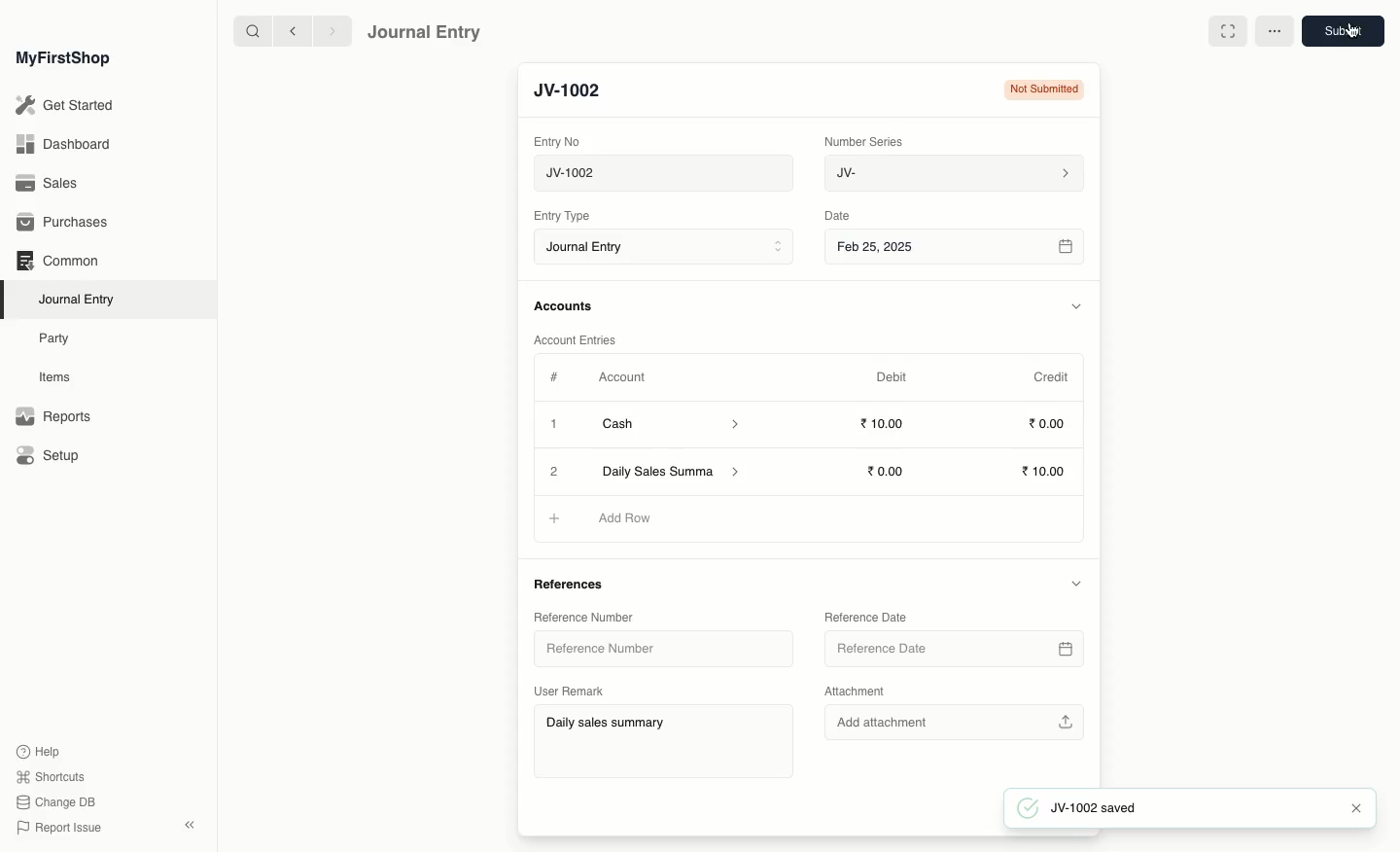 Image resolution: width=1400 pixels, height=852 pixels. Describe the element at coordinates (888, 424) in the screenshot. I see `10.00` at that location.